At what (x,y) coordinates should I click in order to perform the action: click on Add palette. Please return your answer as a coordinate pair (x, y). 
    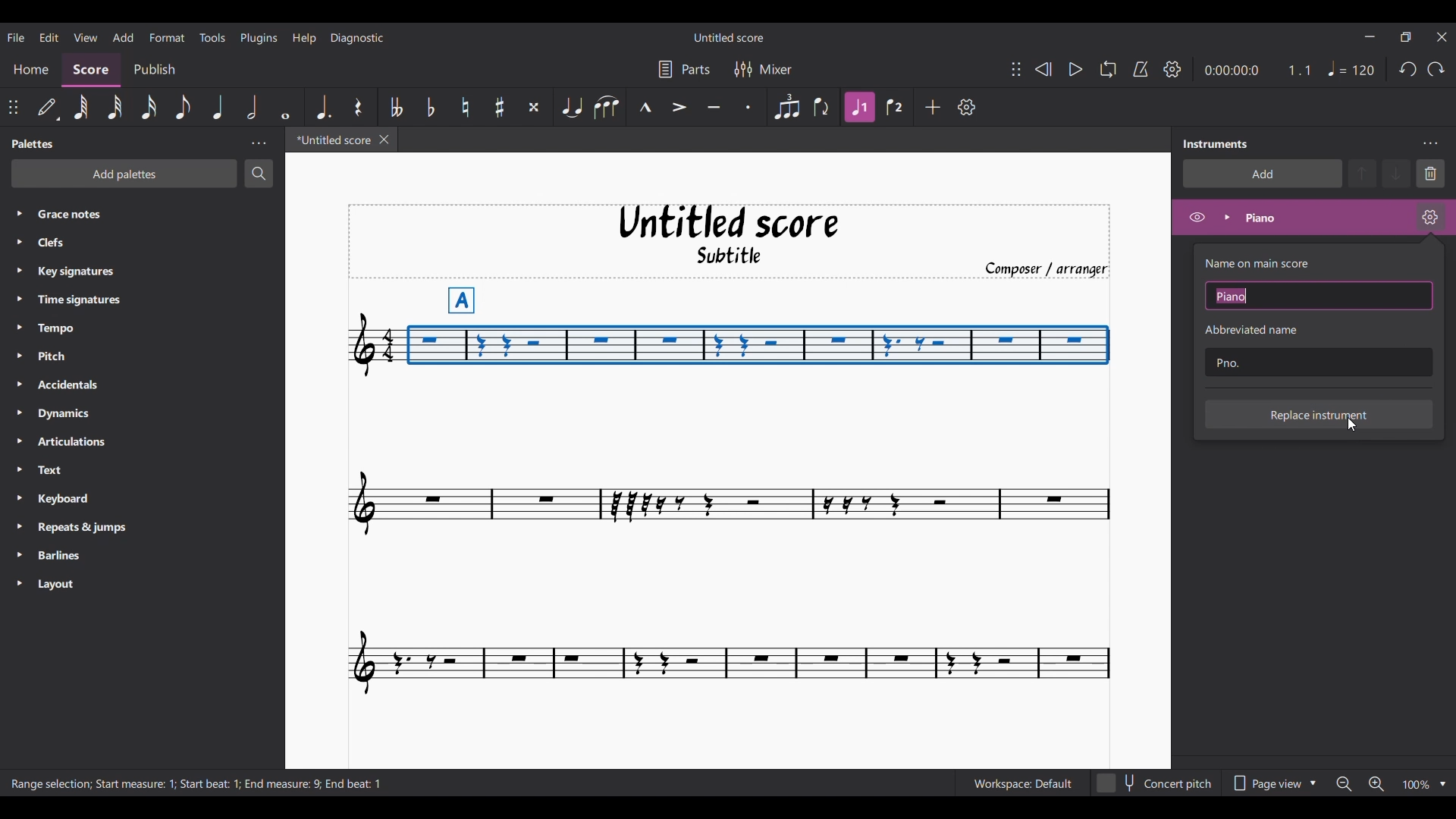
    Looking at the image, I should click on (124, 174).